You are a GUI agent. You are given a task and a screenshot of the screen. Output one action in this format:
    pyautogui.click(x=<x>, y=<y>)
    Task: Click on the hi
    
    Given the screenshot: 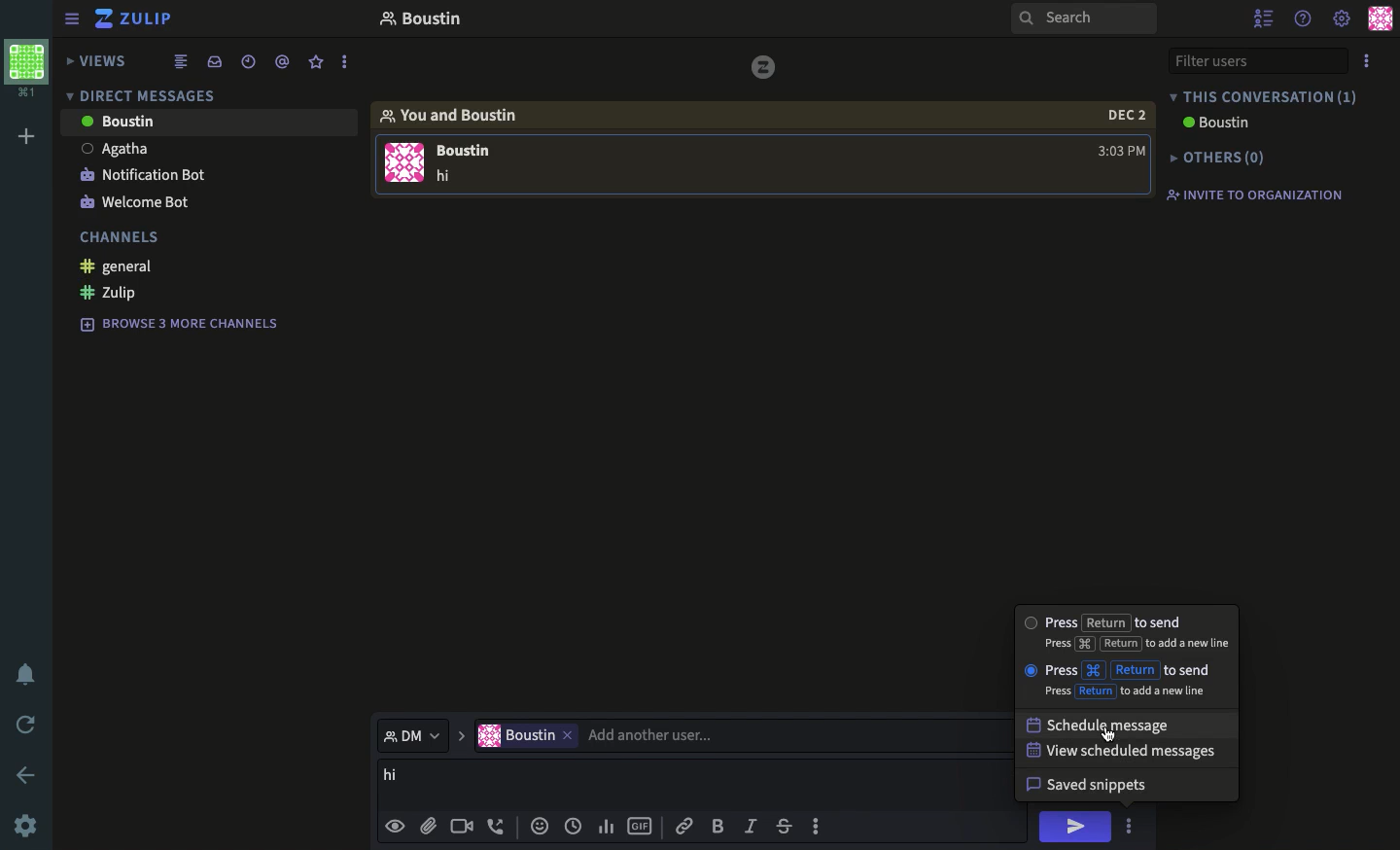 What is the action you would take?
    pyautogui.click(x=1077, y=828)
    